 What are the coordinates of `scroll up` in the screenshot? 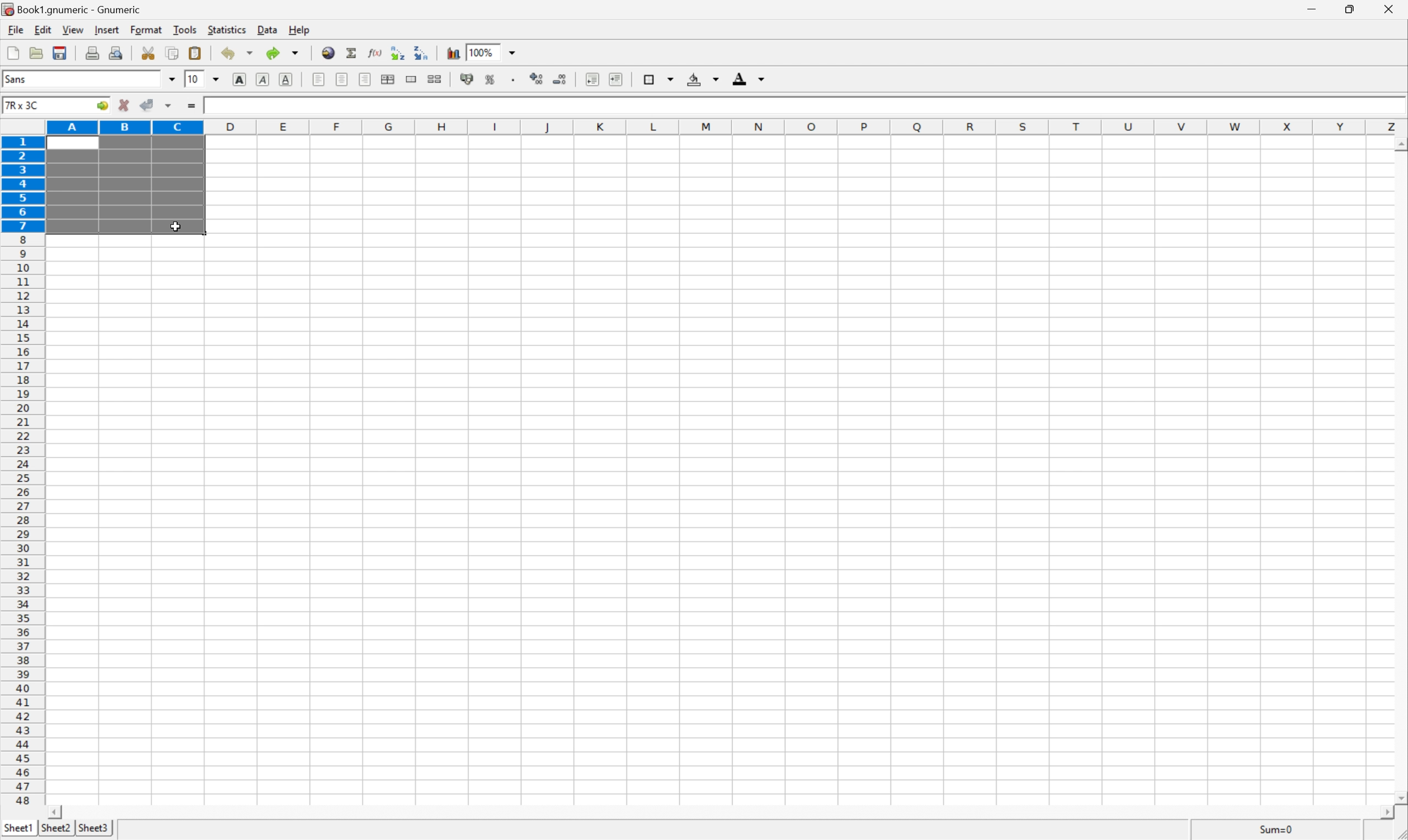 It's located at (1399, 145).